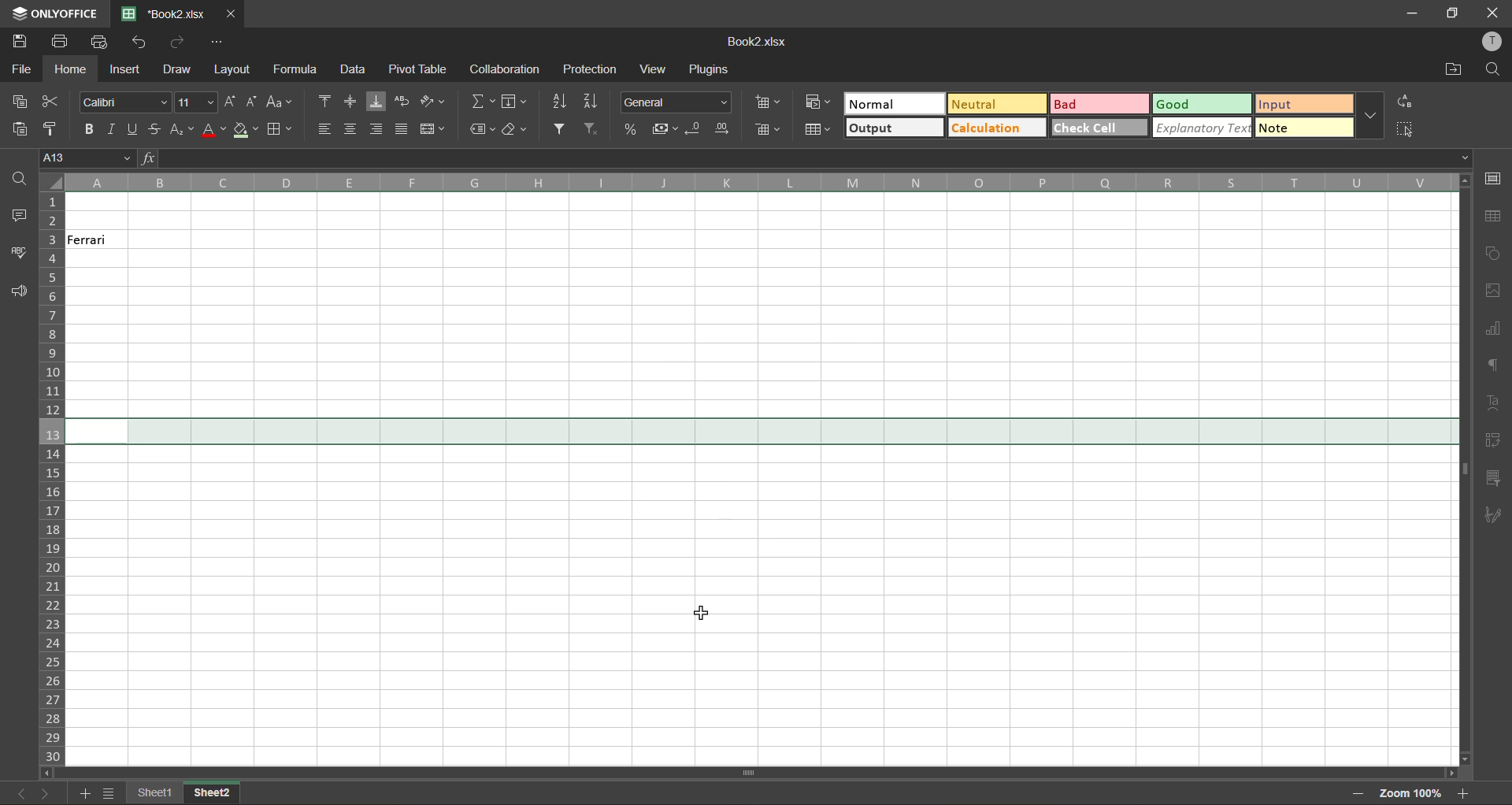  I want to click on change case, so click(281, 103).